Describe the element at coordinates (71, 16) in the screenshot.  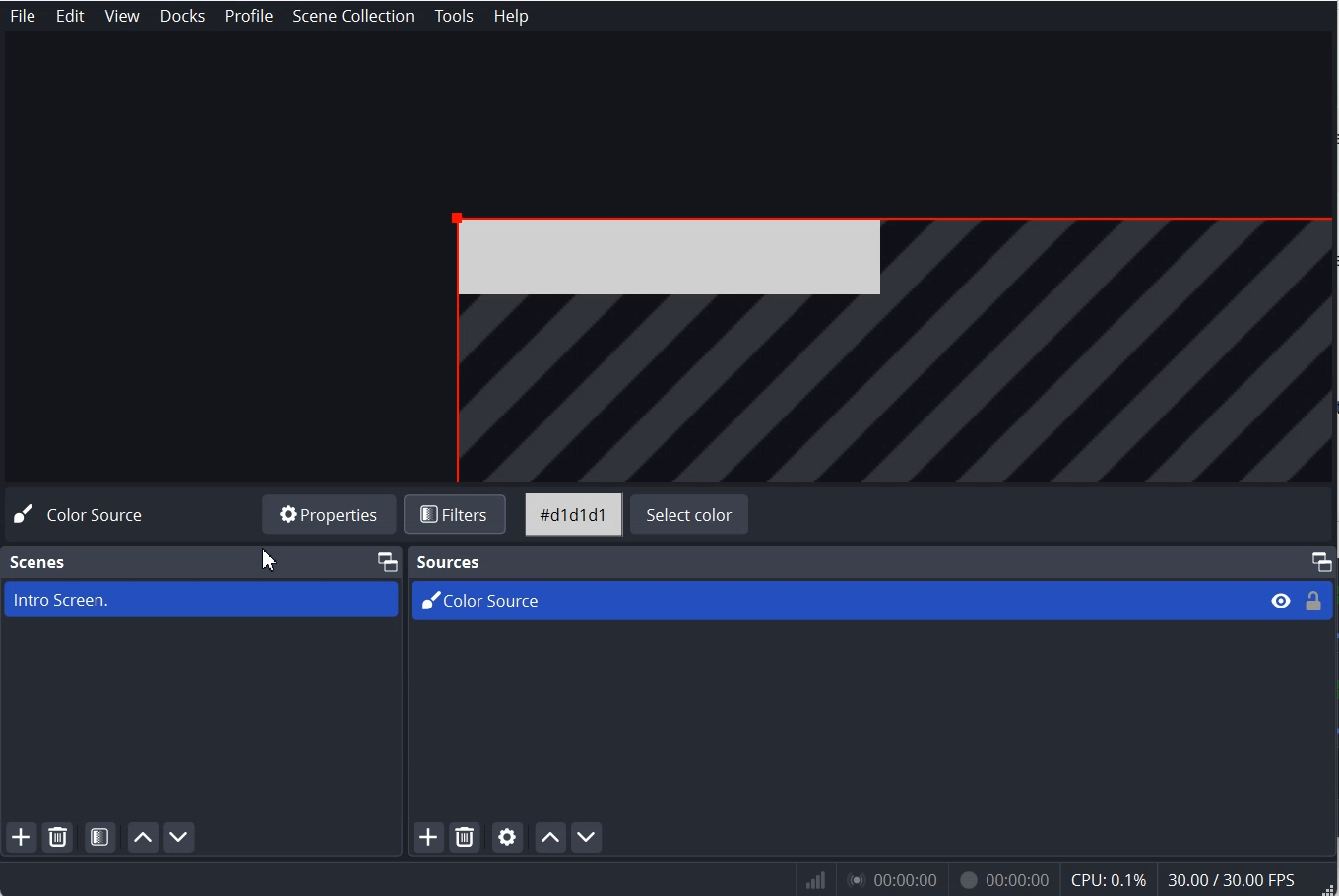
I see `Edit` at that location.